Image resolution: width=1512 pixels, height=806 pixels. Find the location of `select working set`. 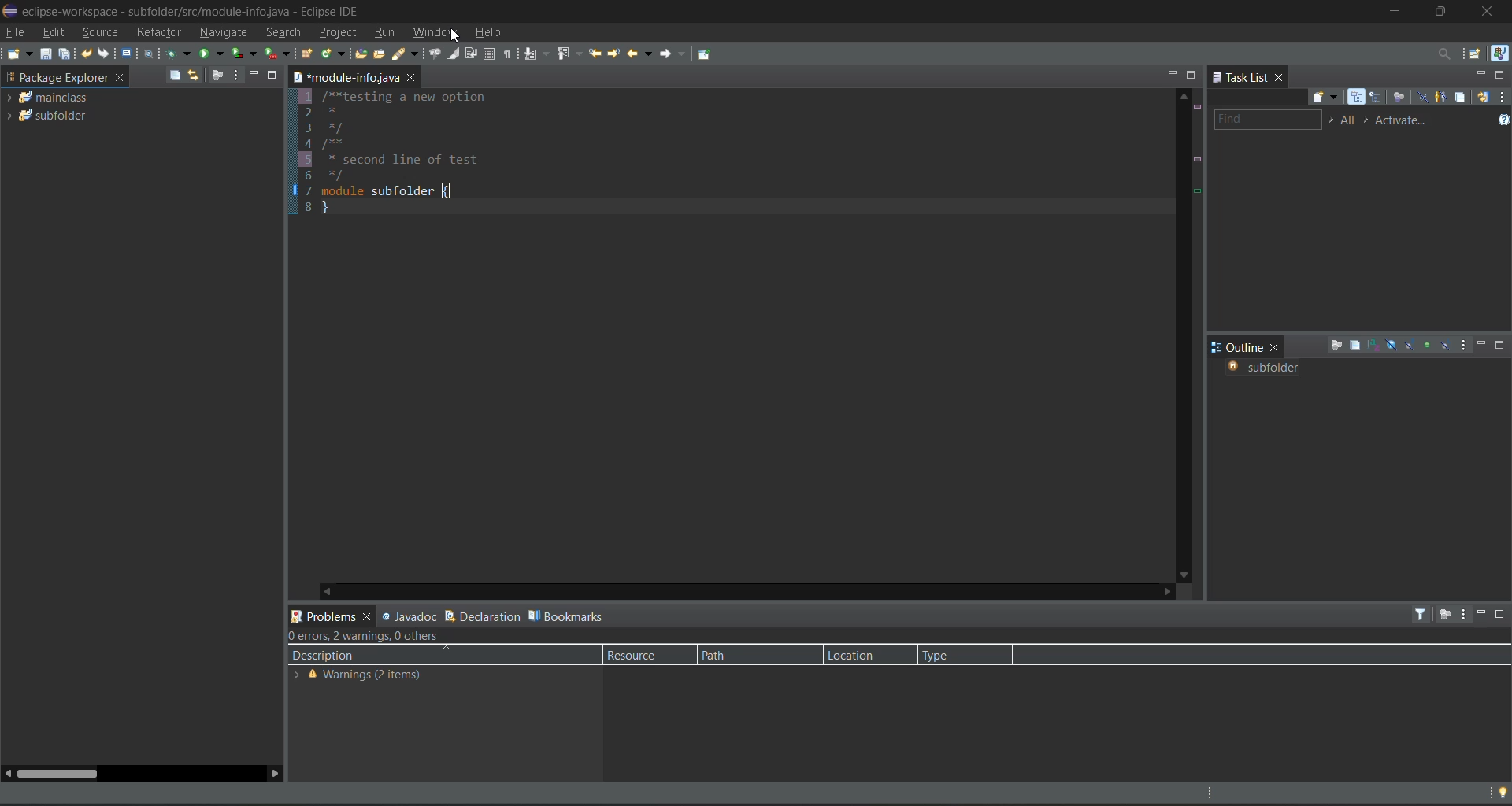

select working set is located at coordinates (1332, 123).